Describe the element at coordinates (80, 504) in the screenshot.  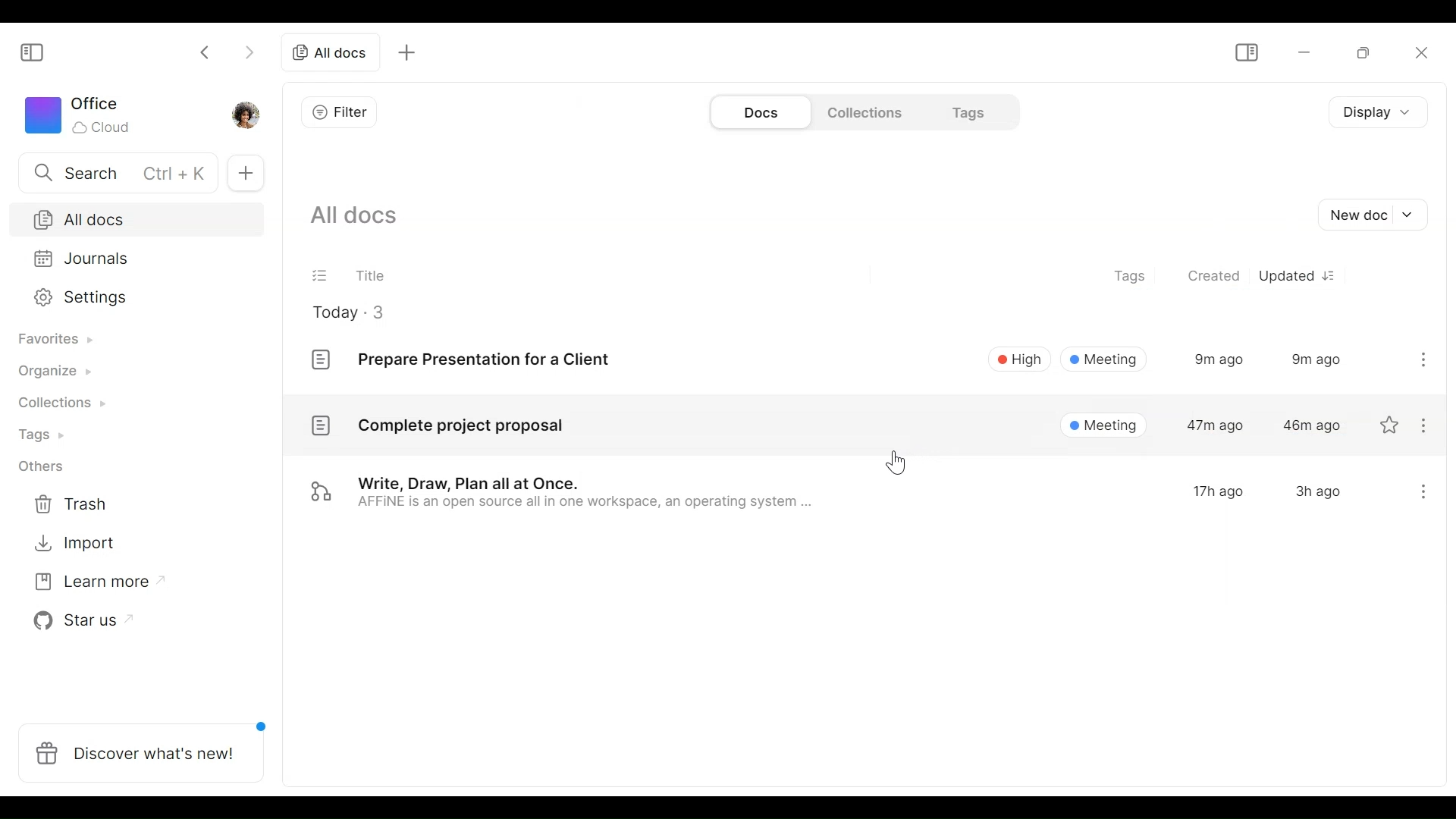
I see `Trash` at that location.